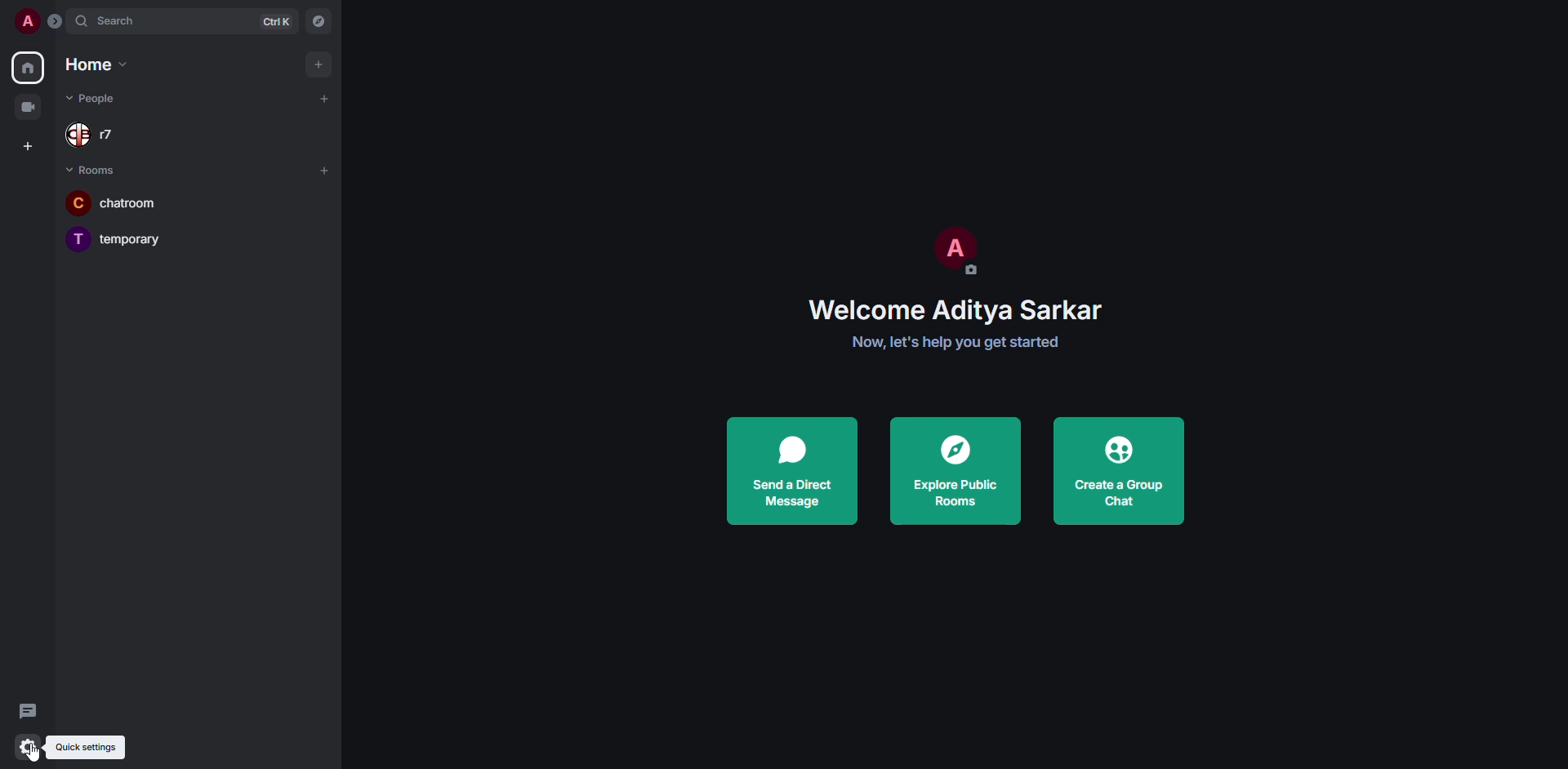  What do you see at coordinates (114, 203) in the screenshot?
I see `room` at bounding box center [114, 203].